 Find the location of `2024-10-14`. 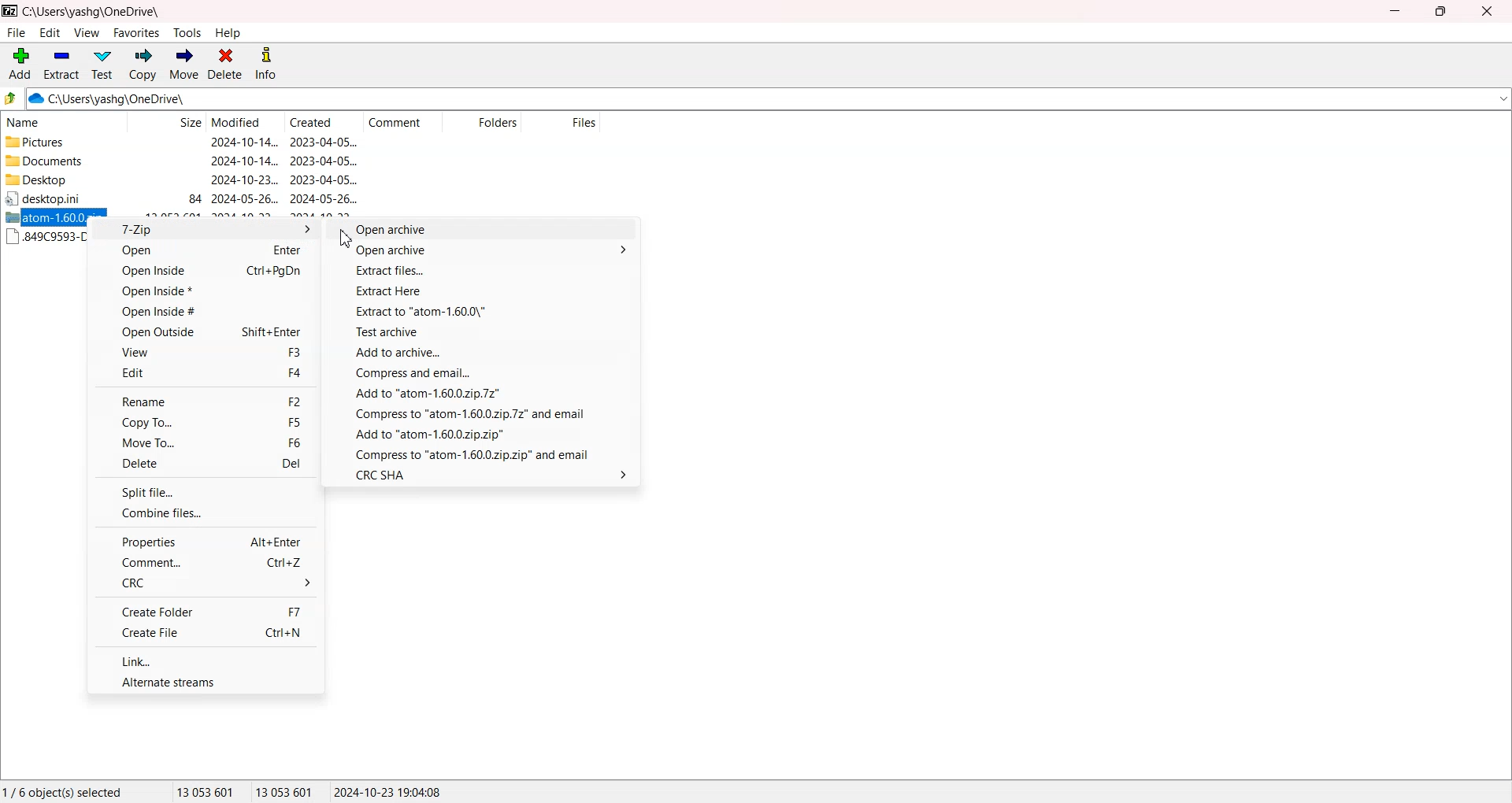

2024-10-14 is located at coordinates (243, 142).